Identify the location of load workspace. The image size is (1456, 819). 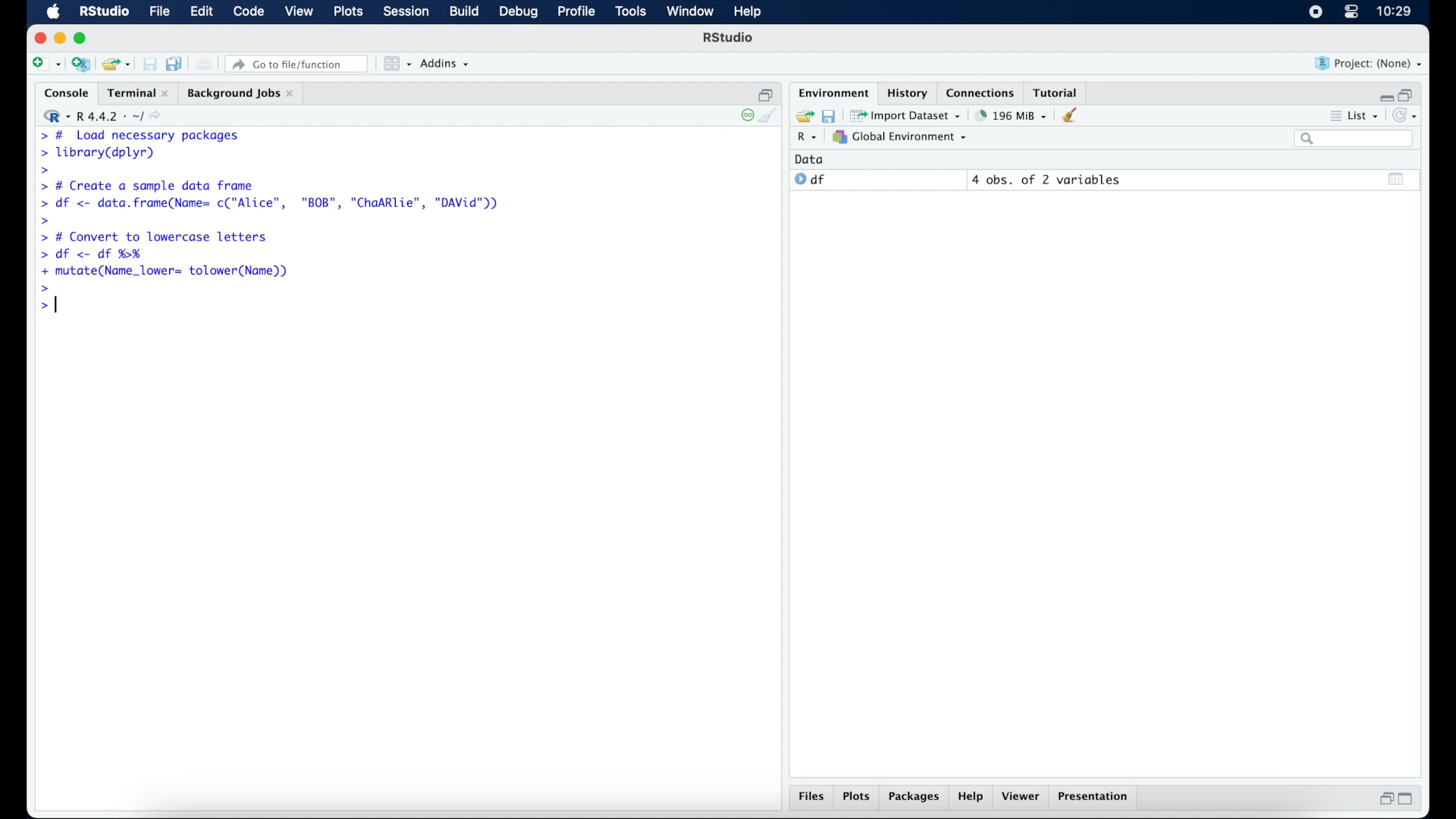
(802, 115).